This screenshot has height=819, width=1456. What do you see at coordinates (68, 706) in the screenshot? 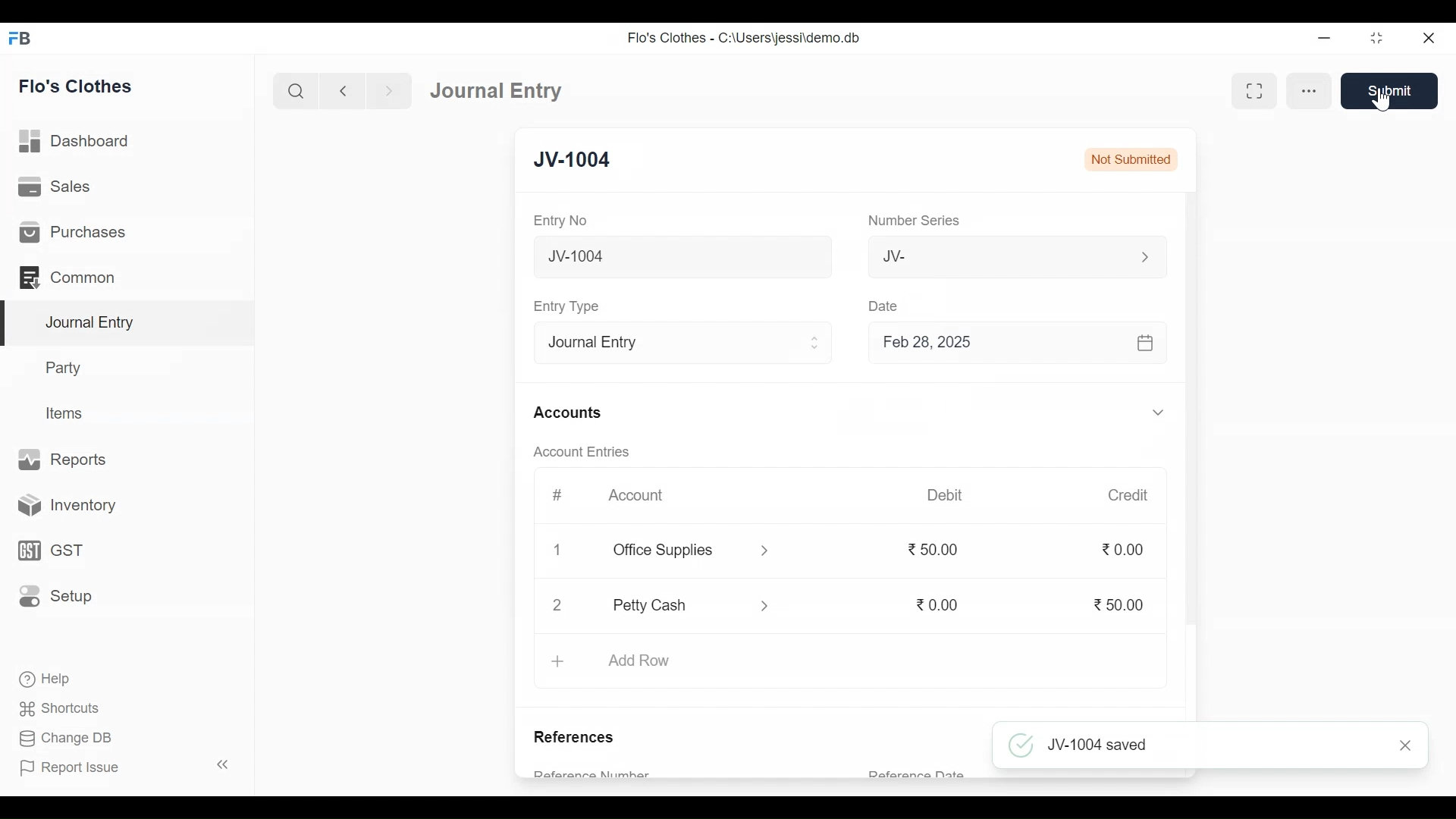
I see `Shortcuts` at bounding box center [68, 706].